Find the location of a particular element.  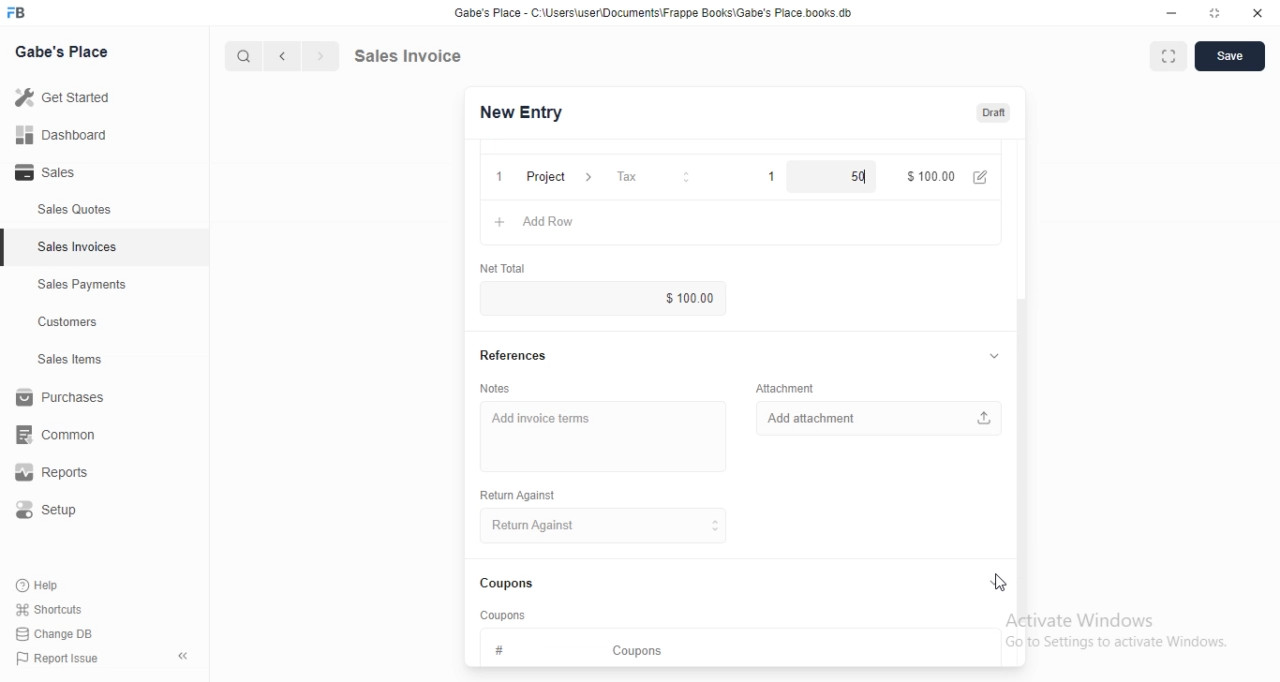

Change DB is located at coordinates (58, 635).